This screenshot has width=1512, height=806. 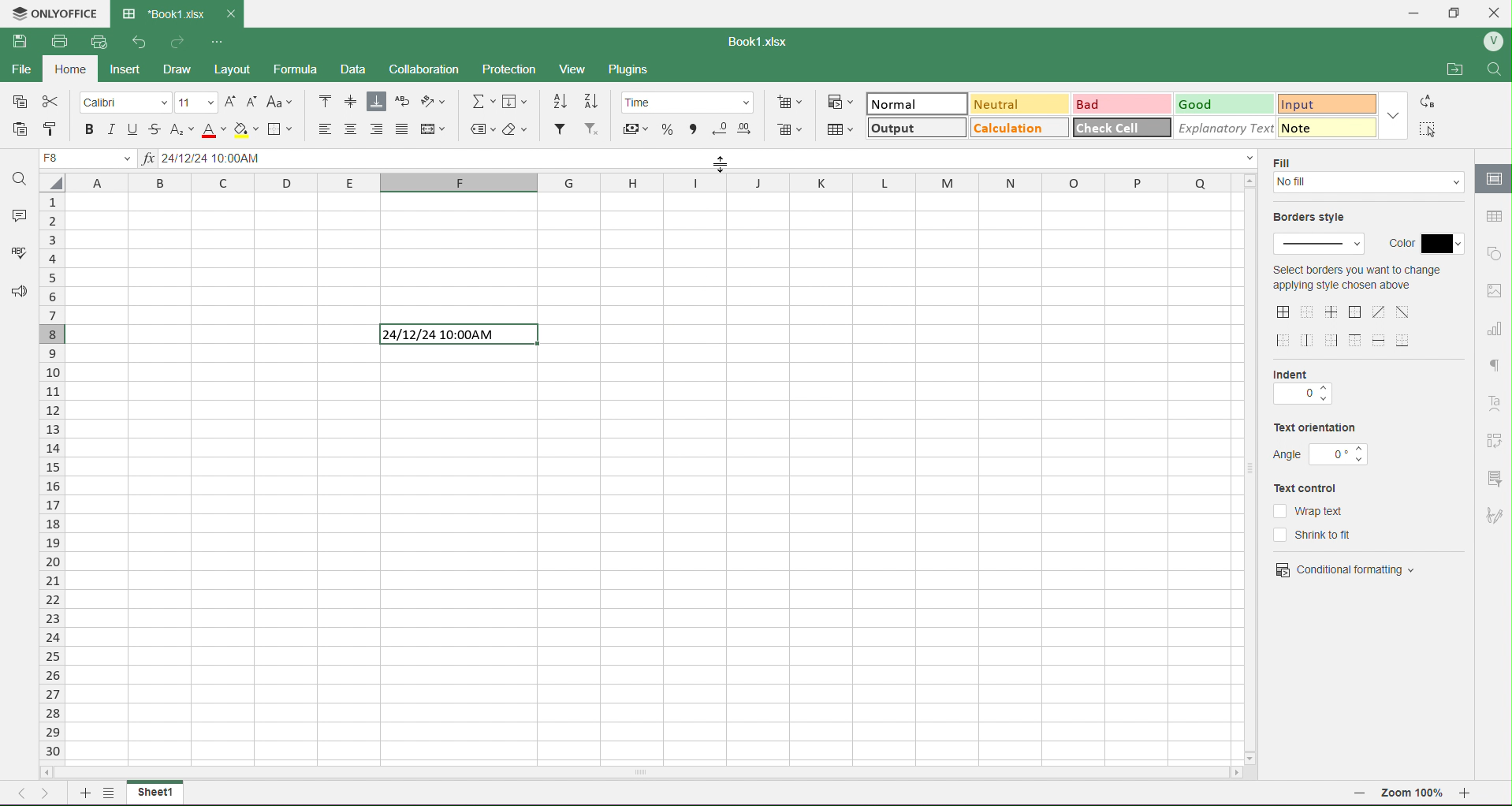 What do you see at coordinates (1250, 468) in the screenshot?
I see `vertical scrol bar` at bounding box center [1250, 468].